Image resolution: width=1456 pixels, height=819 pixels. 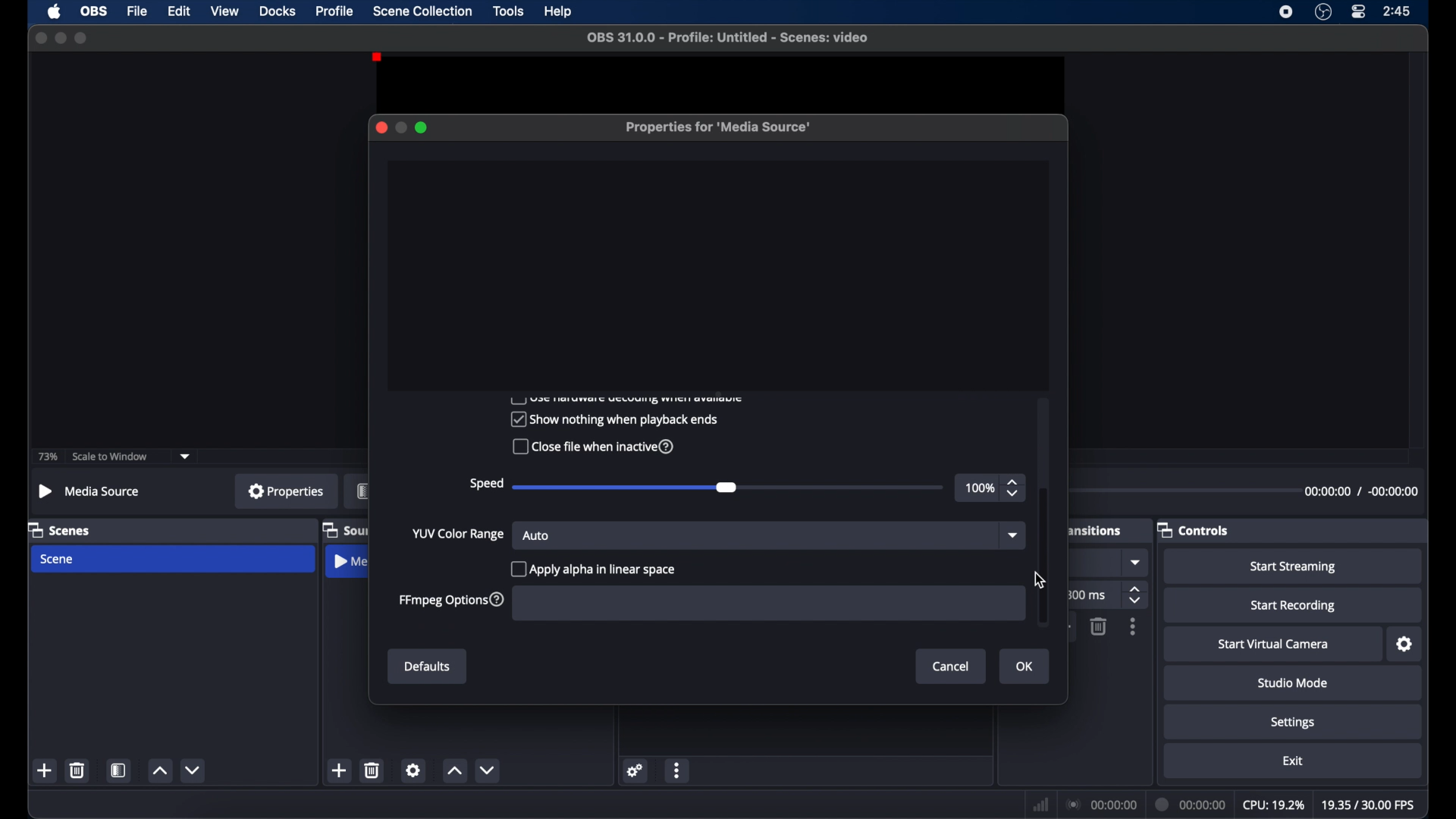 I want to click on scroll box, so click(x=1043, y=556).